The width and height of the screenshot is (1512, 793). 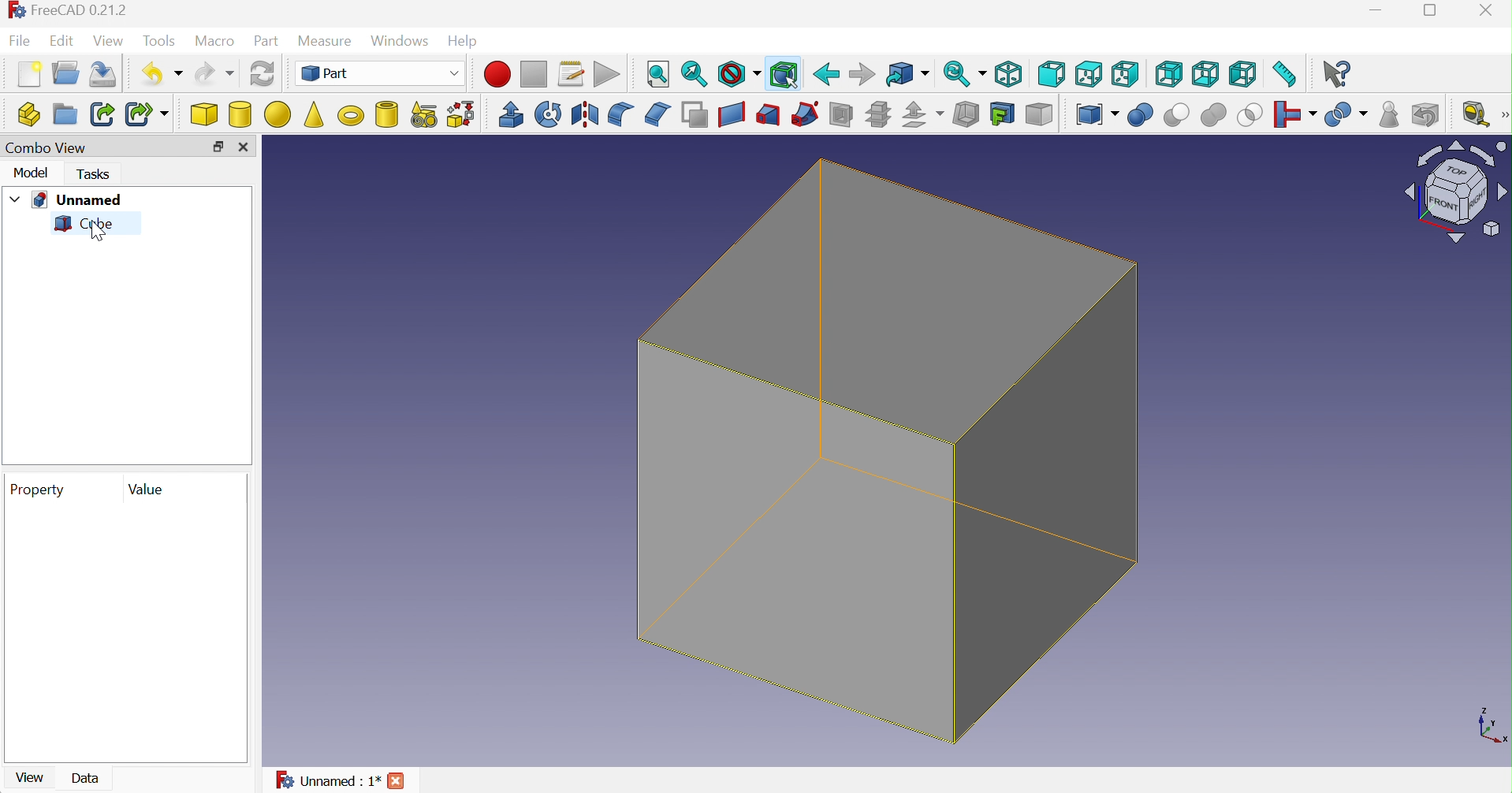 I want to click on Defeaturing, so click(x=1423, y=115).